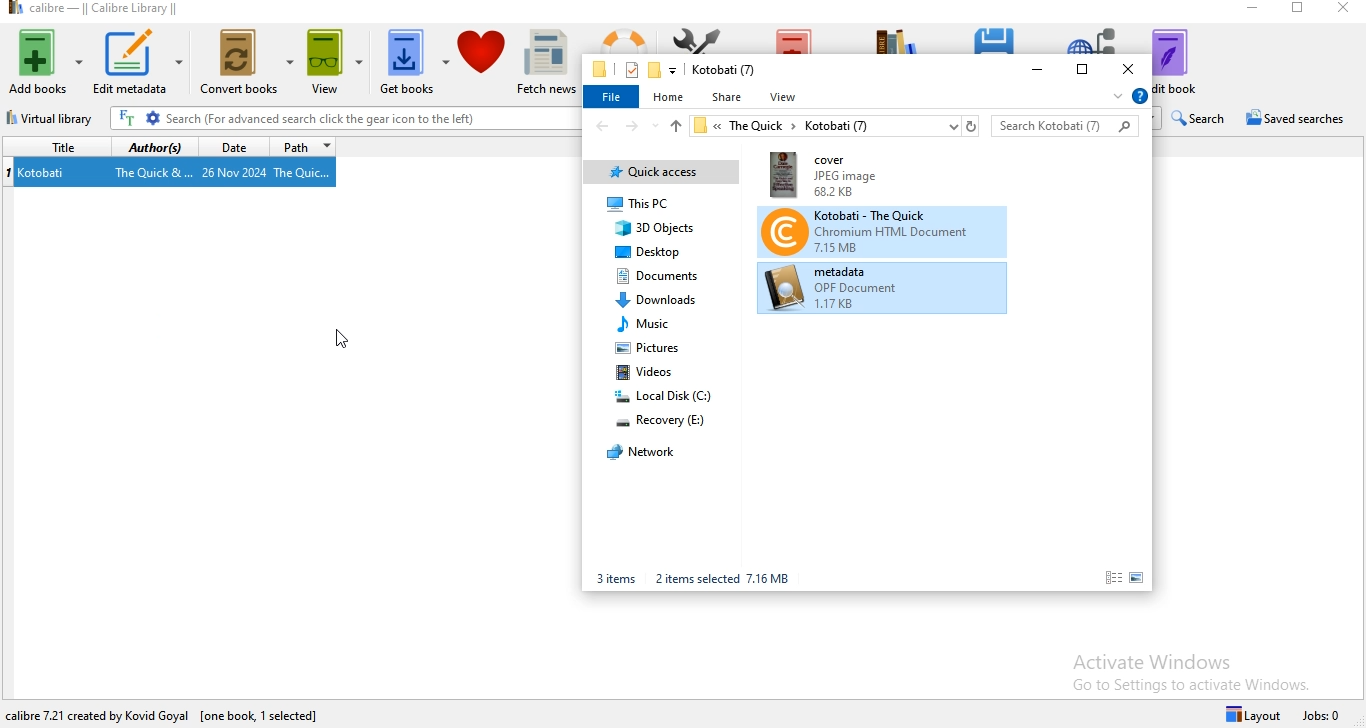  What do you see at coordinates (655, 346) in the screenshot?
I see `pictures` at bounding box center [655, 346].